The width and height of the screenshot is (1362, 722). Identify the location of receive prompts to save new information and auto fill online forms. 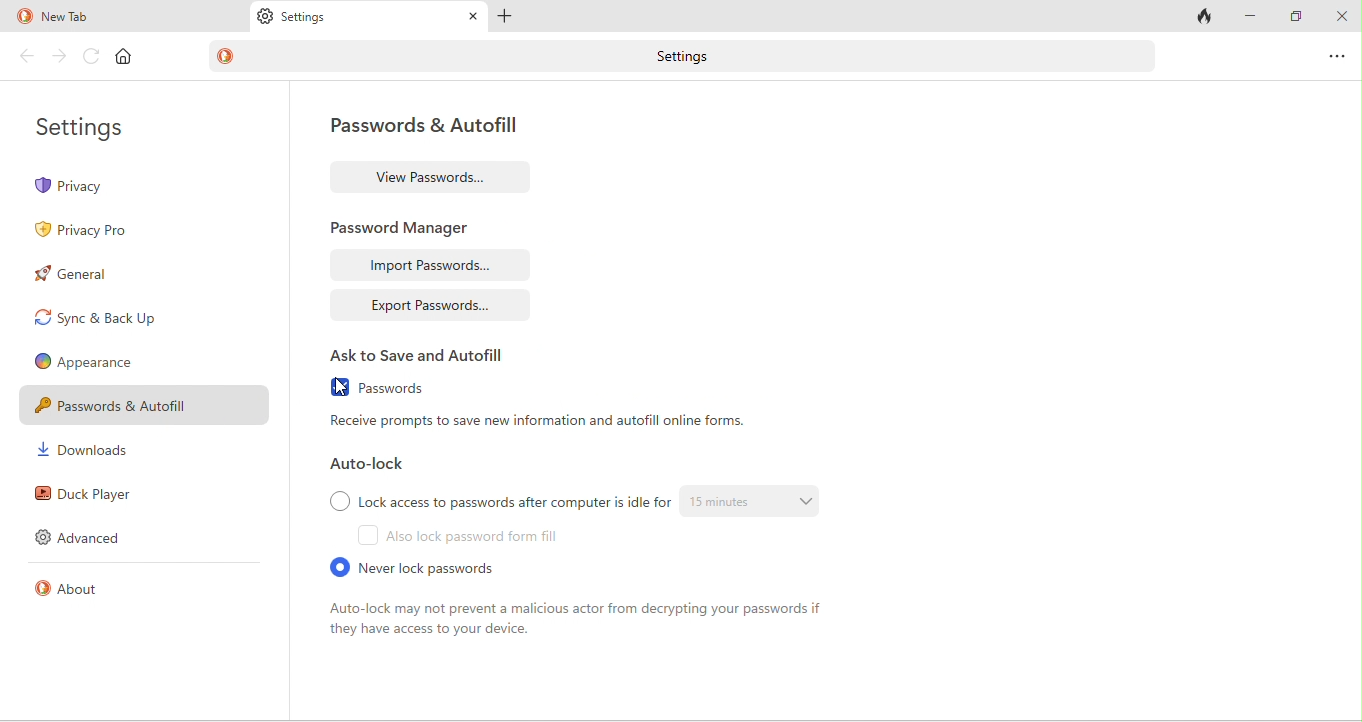
(539, 426).